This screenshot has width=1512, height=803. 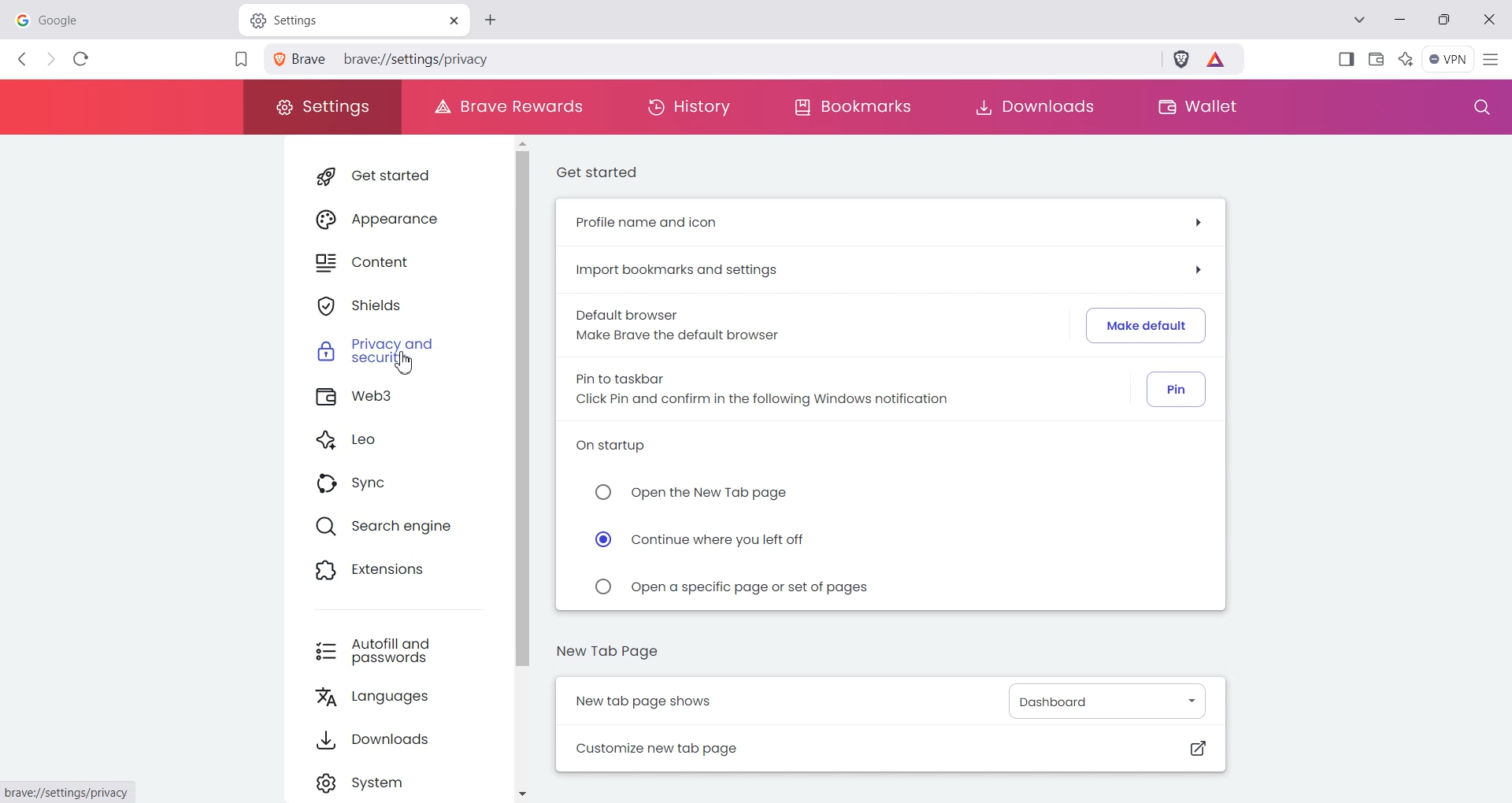 I want to click on Reload, so click(x=81, y=58).